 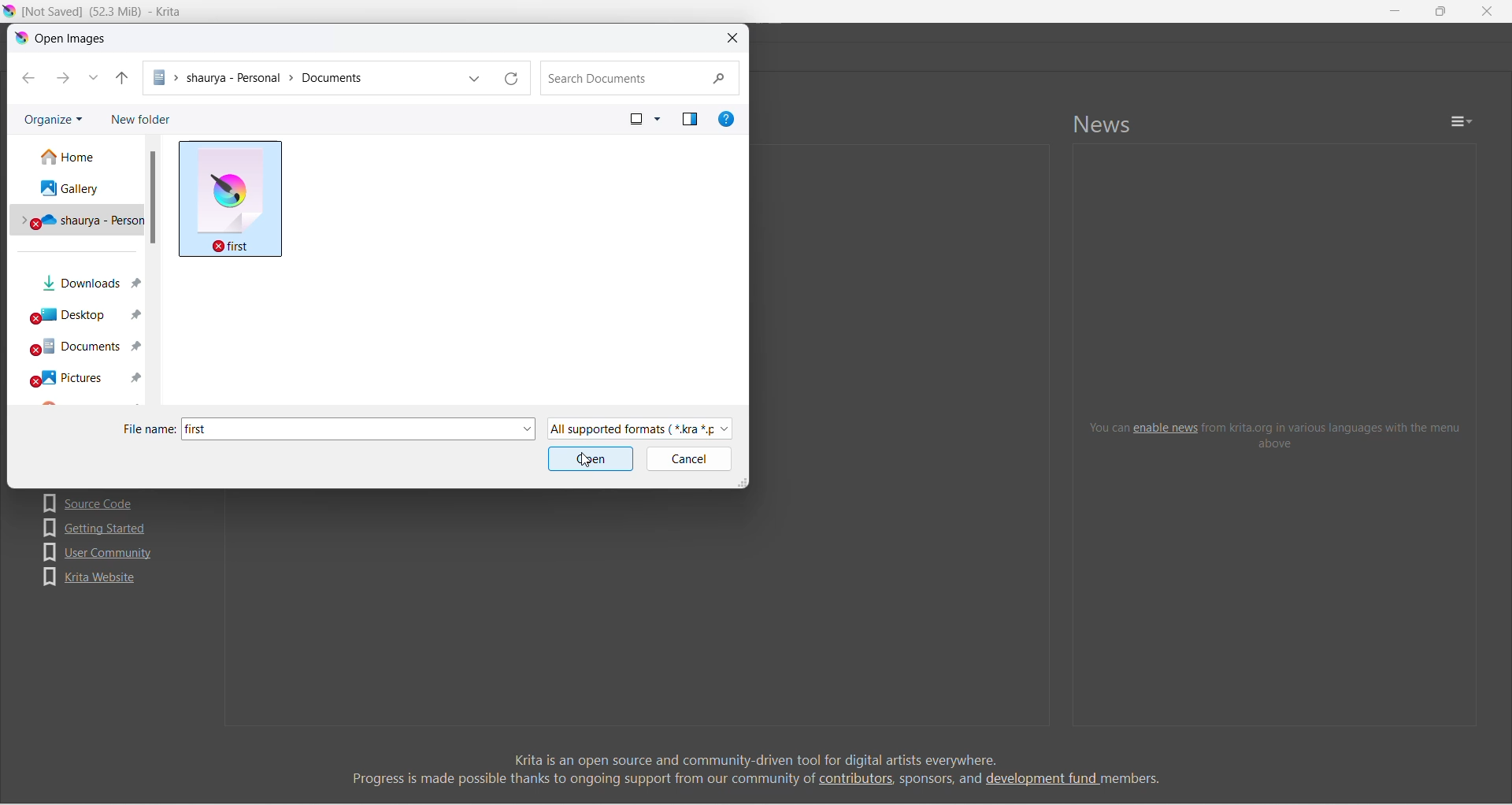 I want to click on close, so click(x=733, y=38).